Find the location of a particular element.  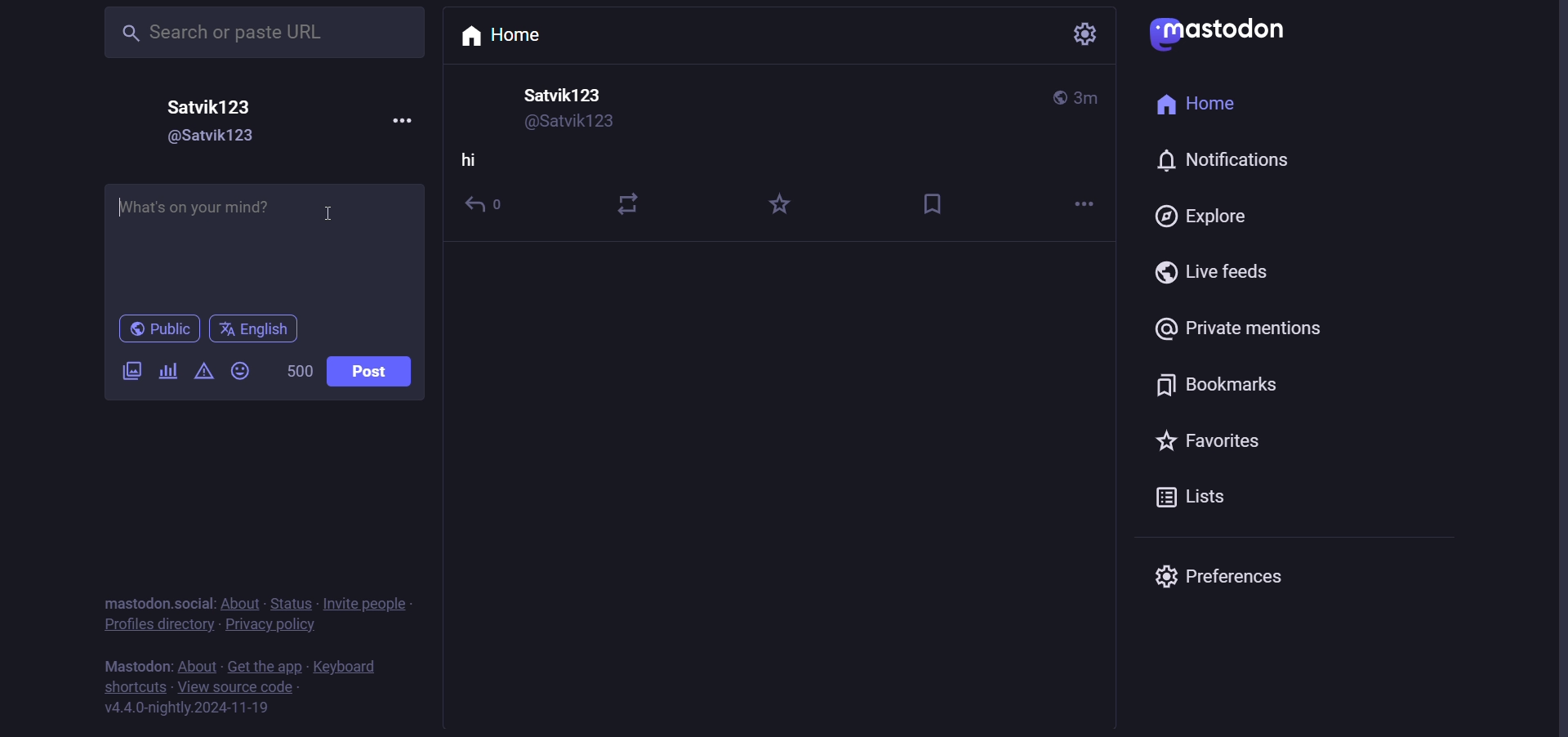

user is located at coordinates (568, 96).